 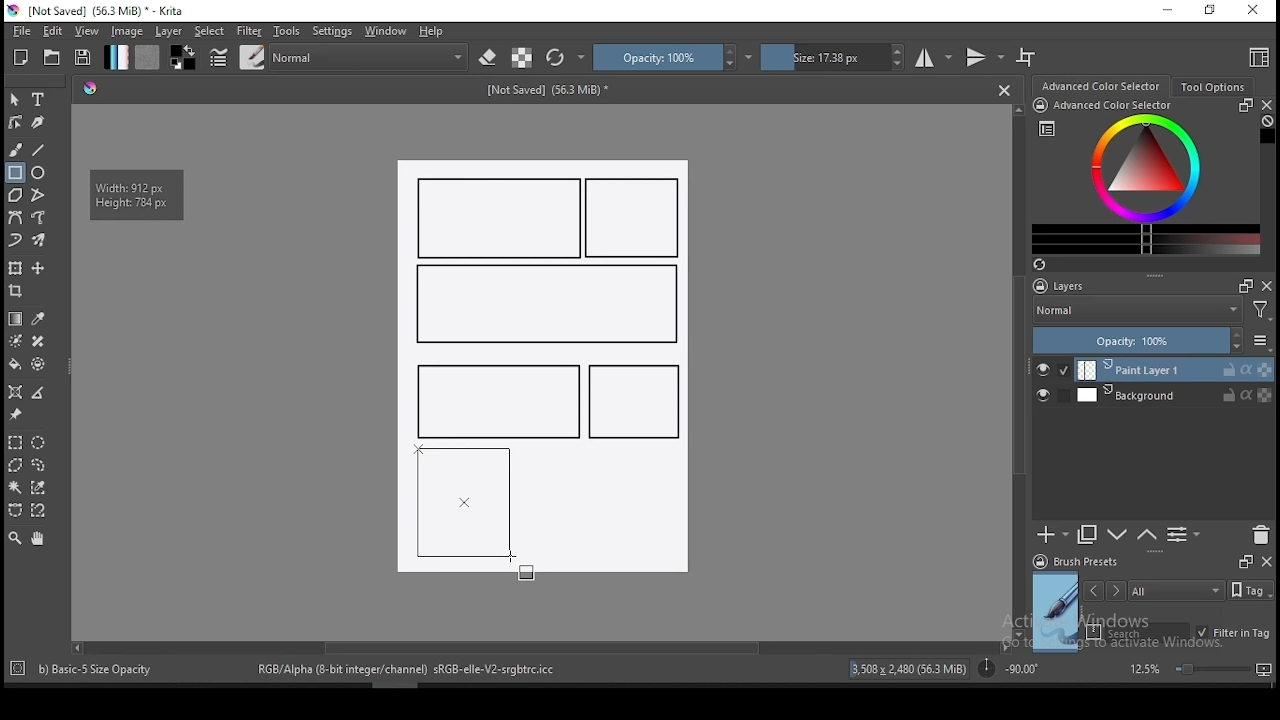 What do you see at coordinates (38, 341) in the screenshot?
I see `smart patch tool` at bounding box center [38, 341].